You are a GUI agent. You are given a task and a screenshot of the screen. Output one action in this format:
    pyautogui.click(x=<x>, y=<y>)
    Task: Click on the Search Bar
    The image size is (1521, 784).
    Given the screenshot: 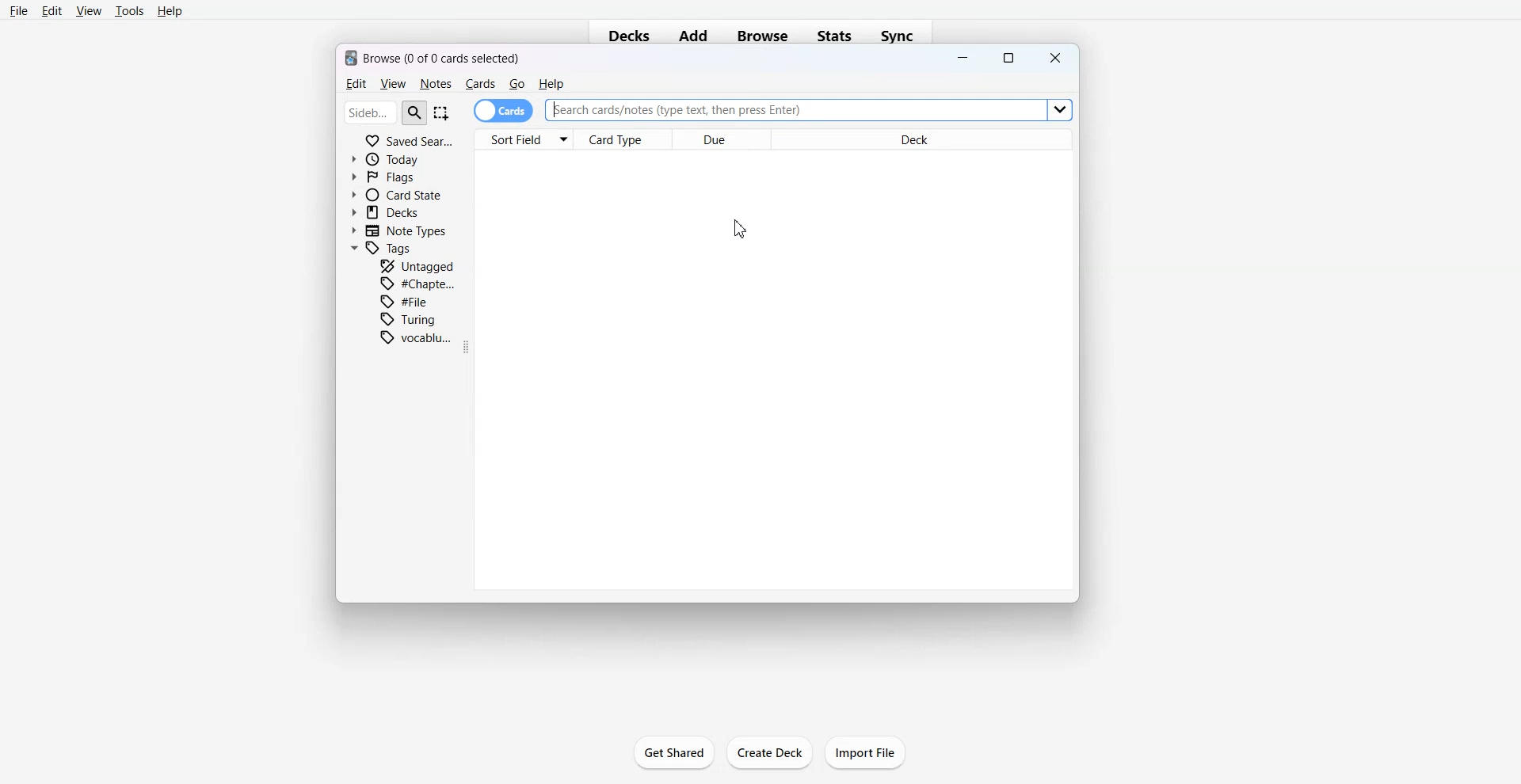 What is the action you would take?
    pyautogui.click(x=386, y=112)
    